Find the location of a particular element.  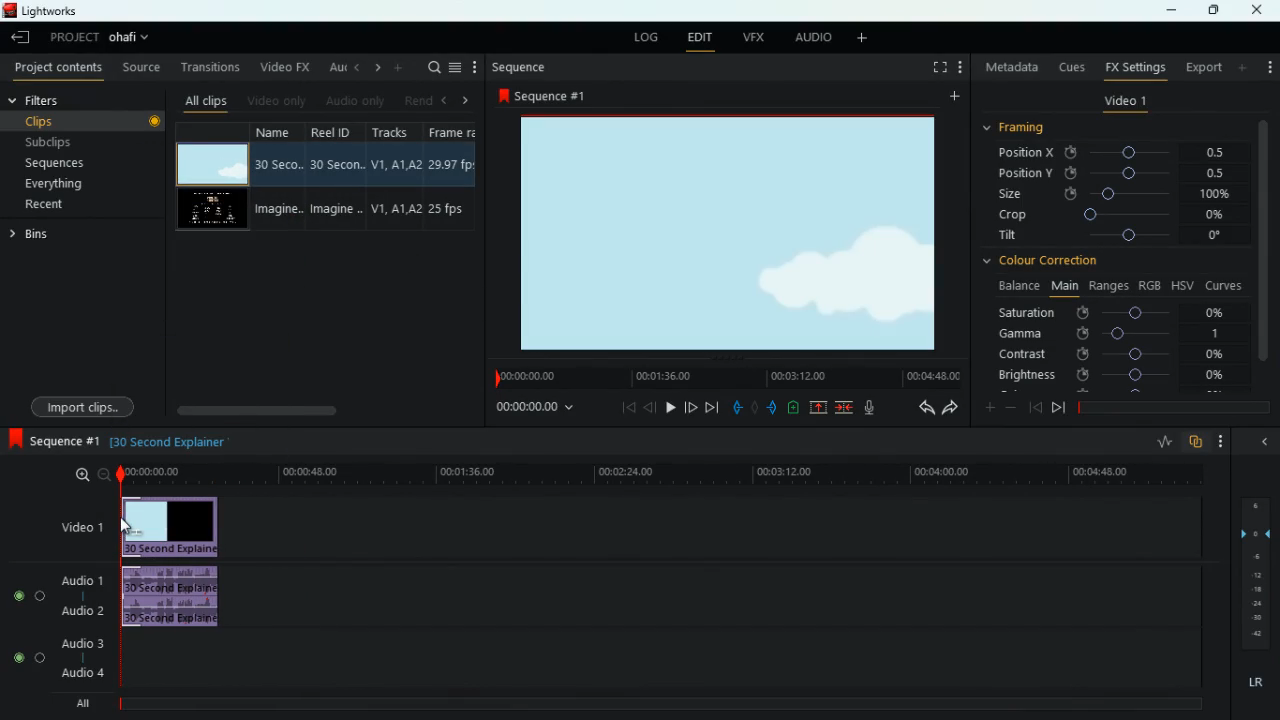

merge is located at coordinates (845, 408).